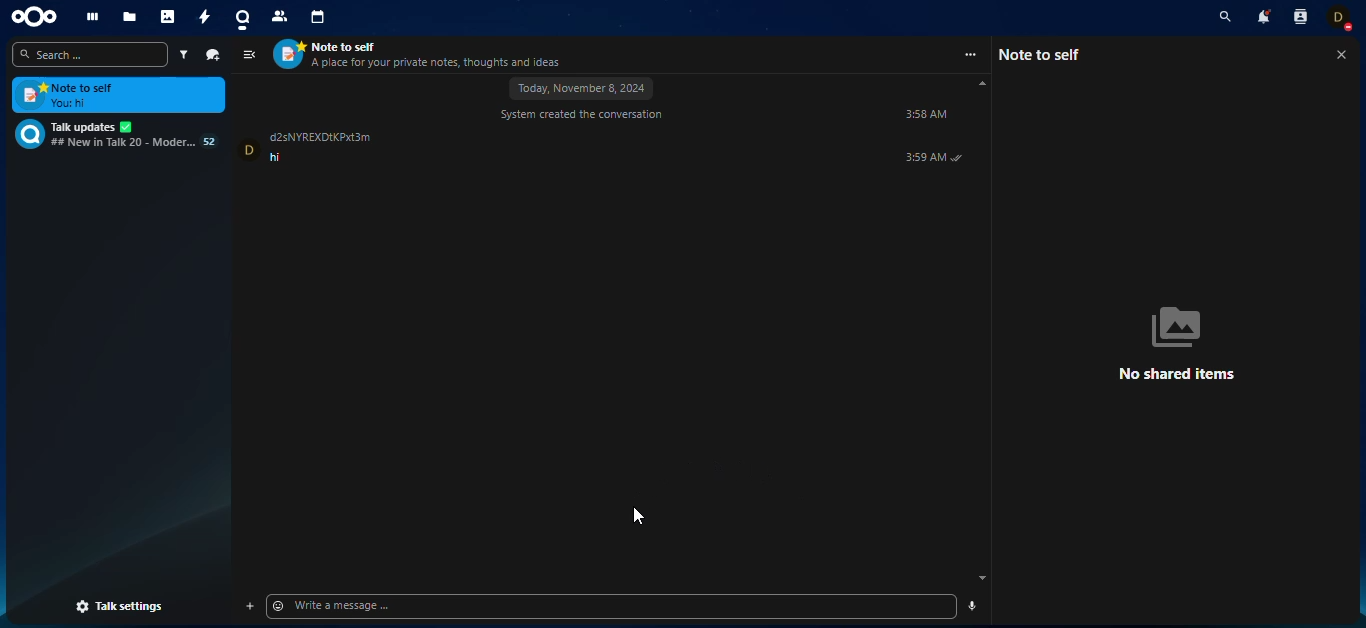  What do you see at coordinates (40, 17) in the screenshot?
I see `nextcloud` at bounding box center [40, 17].